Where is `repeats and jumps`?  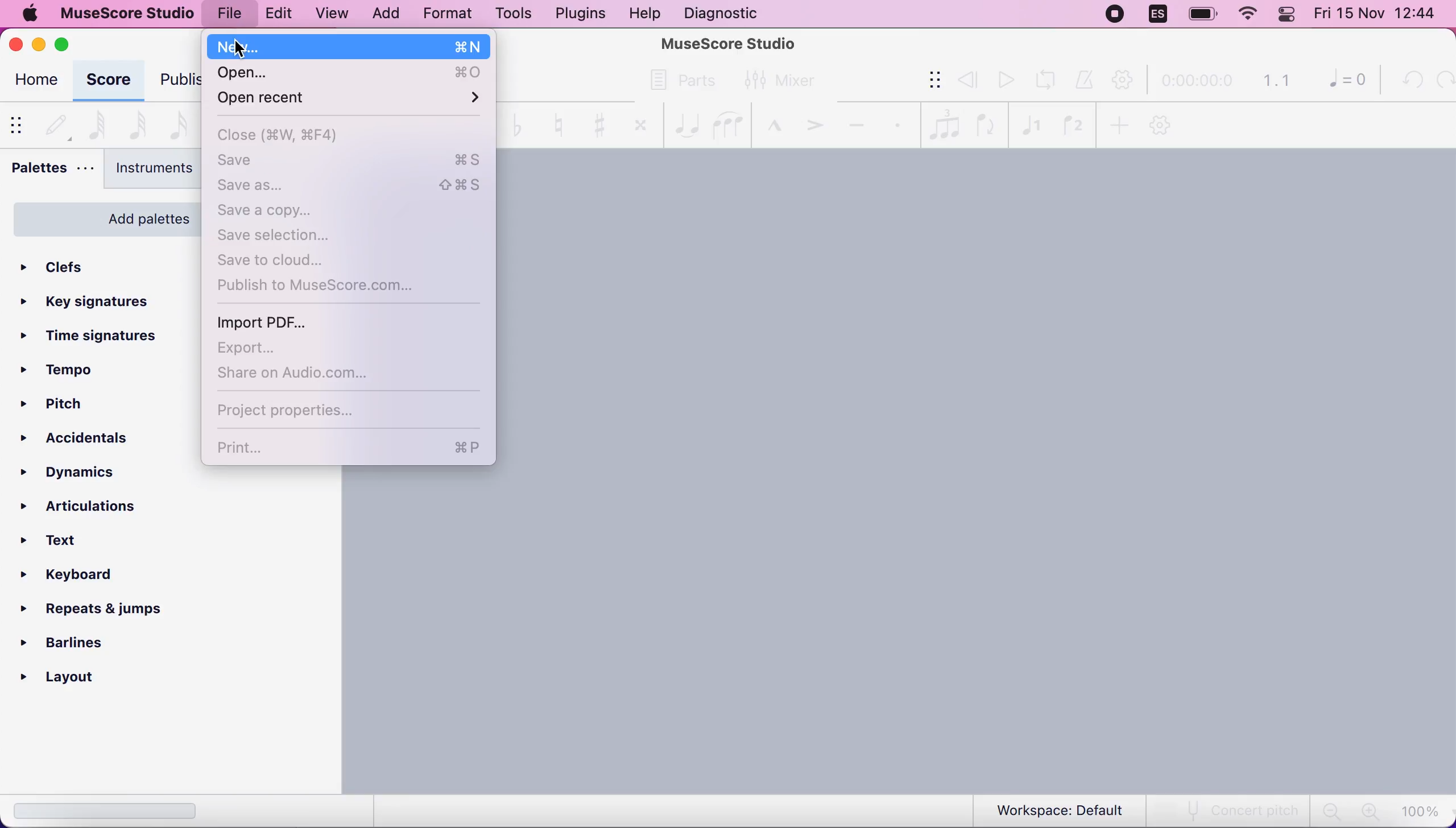 repeats and jumps is located at coordinates (103, 610).